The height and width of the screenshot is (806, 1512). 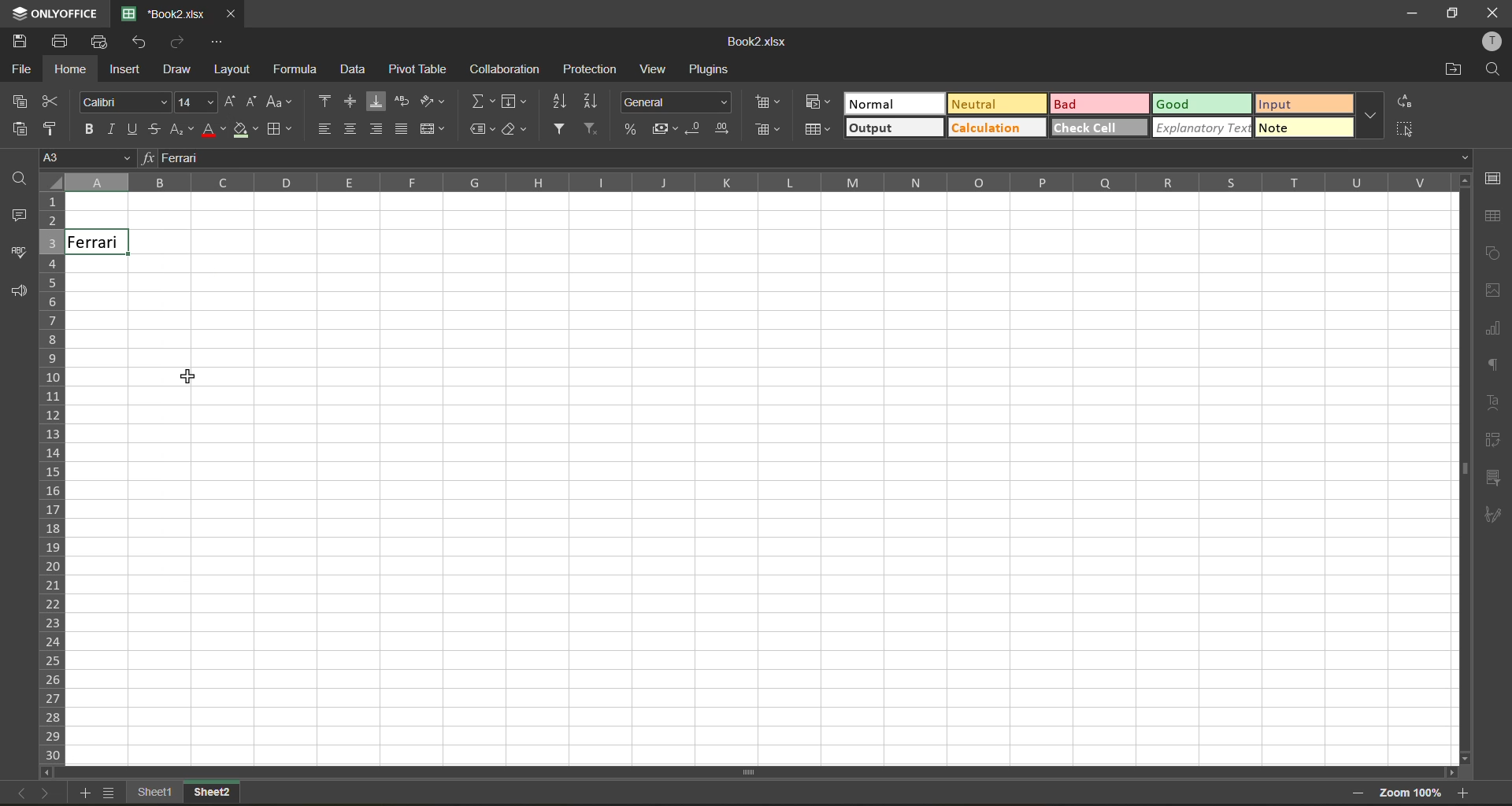 What do you see at coordinates (15, 179) in the screenshot?
I see `find` at bounding box center [15, 179].